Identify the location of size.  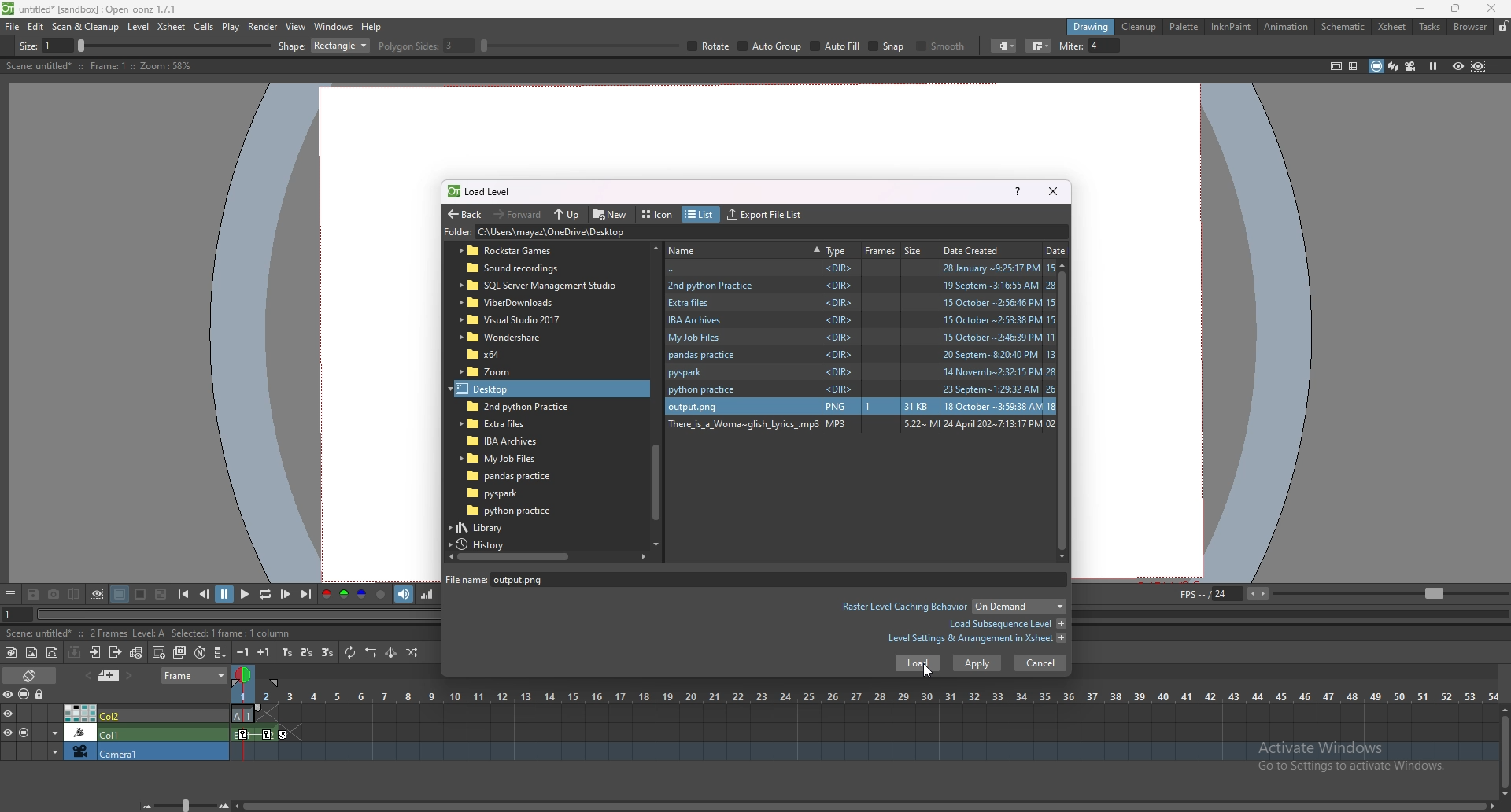
(917, 249).